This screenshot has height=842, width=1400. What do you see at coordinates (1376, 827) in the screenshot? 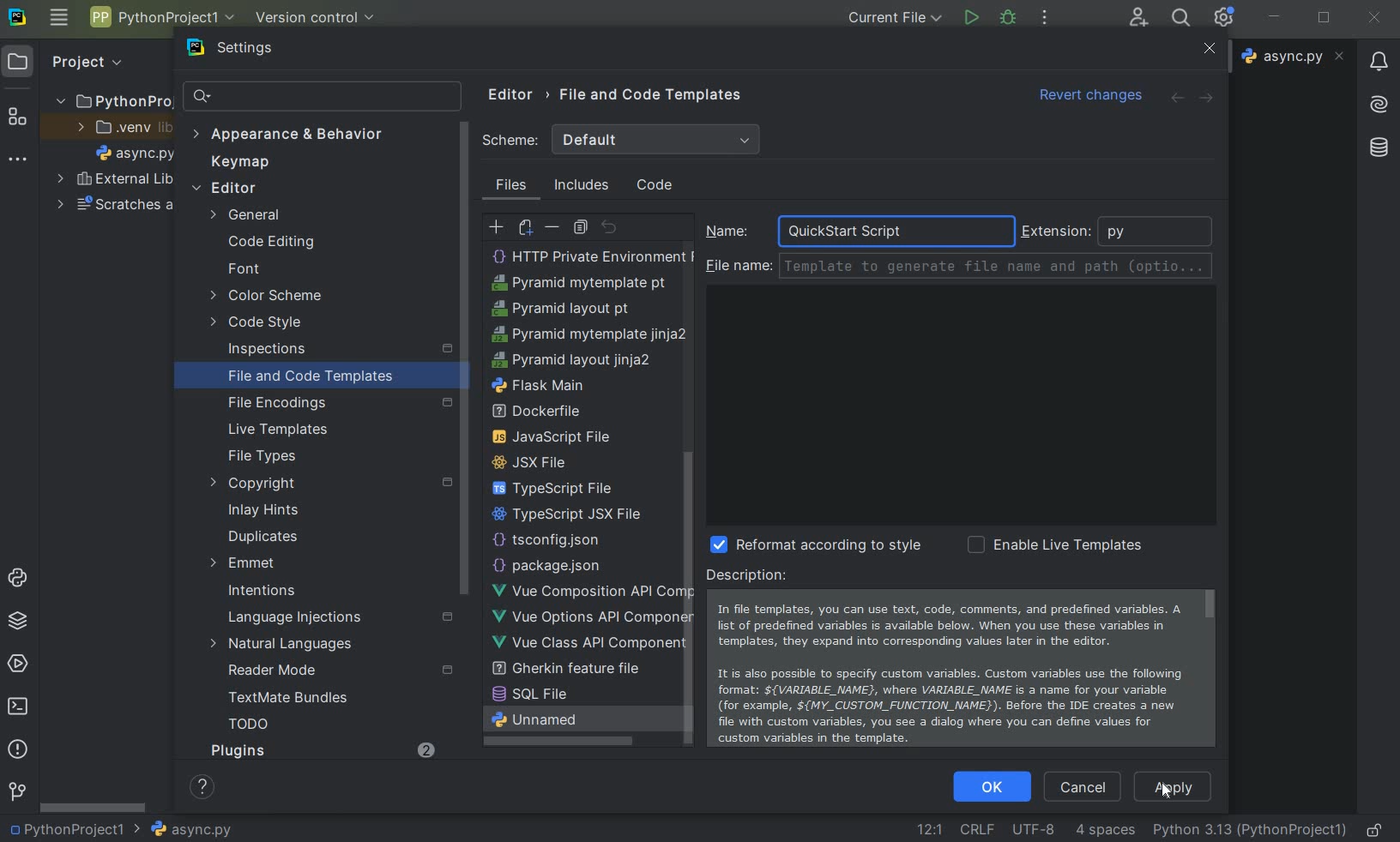
I see `make file ready only` at bounding box center [1376, 827].